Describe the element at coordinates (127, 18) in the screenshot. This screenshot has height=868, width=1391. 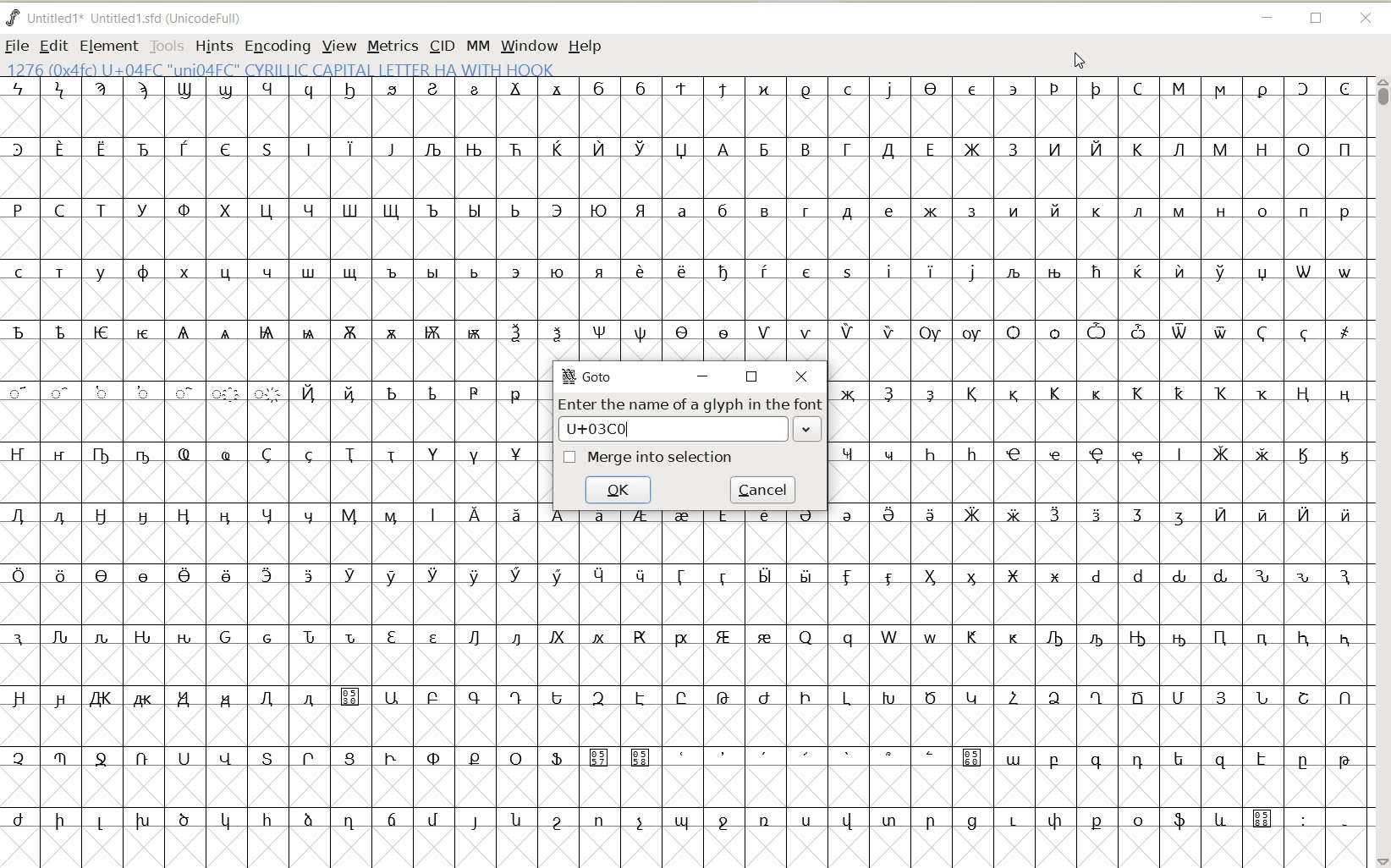
I see `FONT NAME` at that location.